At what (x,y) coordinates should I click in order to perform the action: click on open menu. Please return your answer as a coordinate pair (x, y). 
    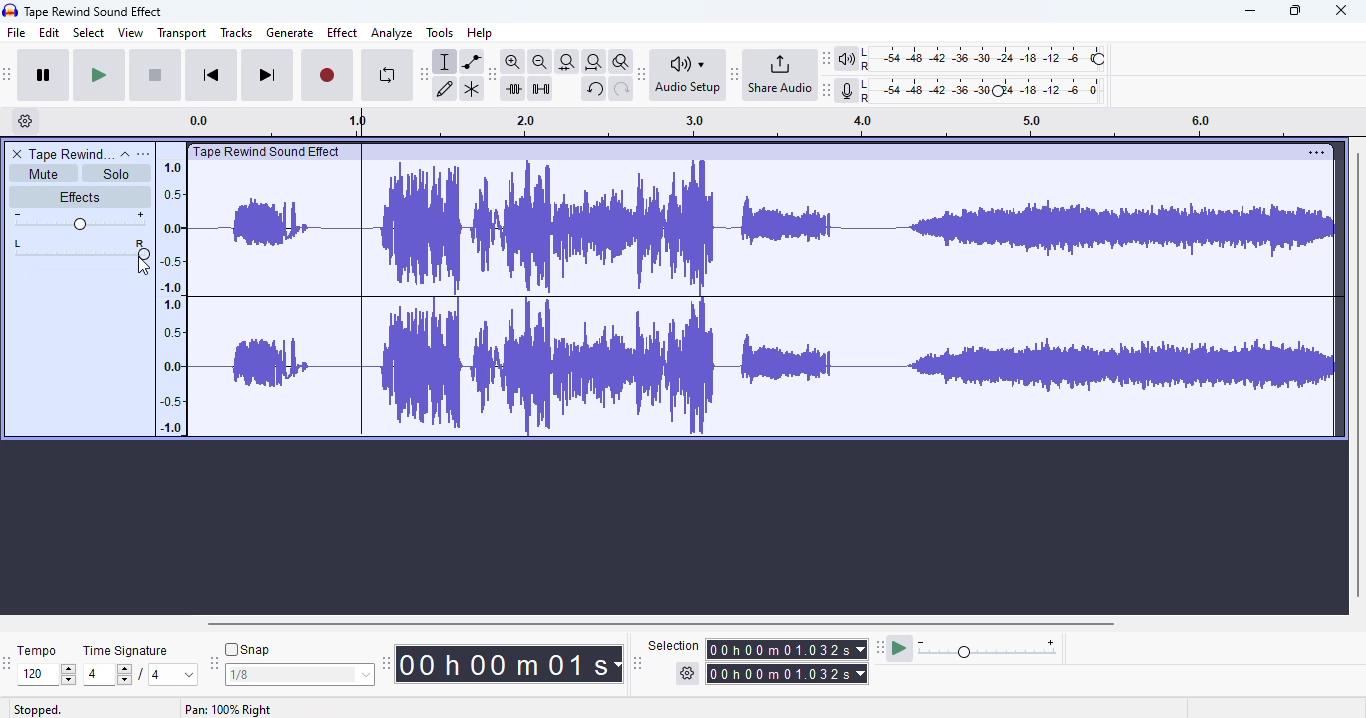
    Looking at the image, I should click on (143, 154).